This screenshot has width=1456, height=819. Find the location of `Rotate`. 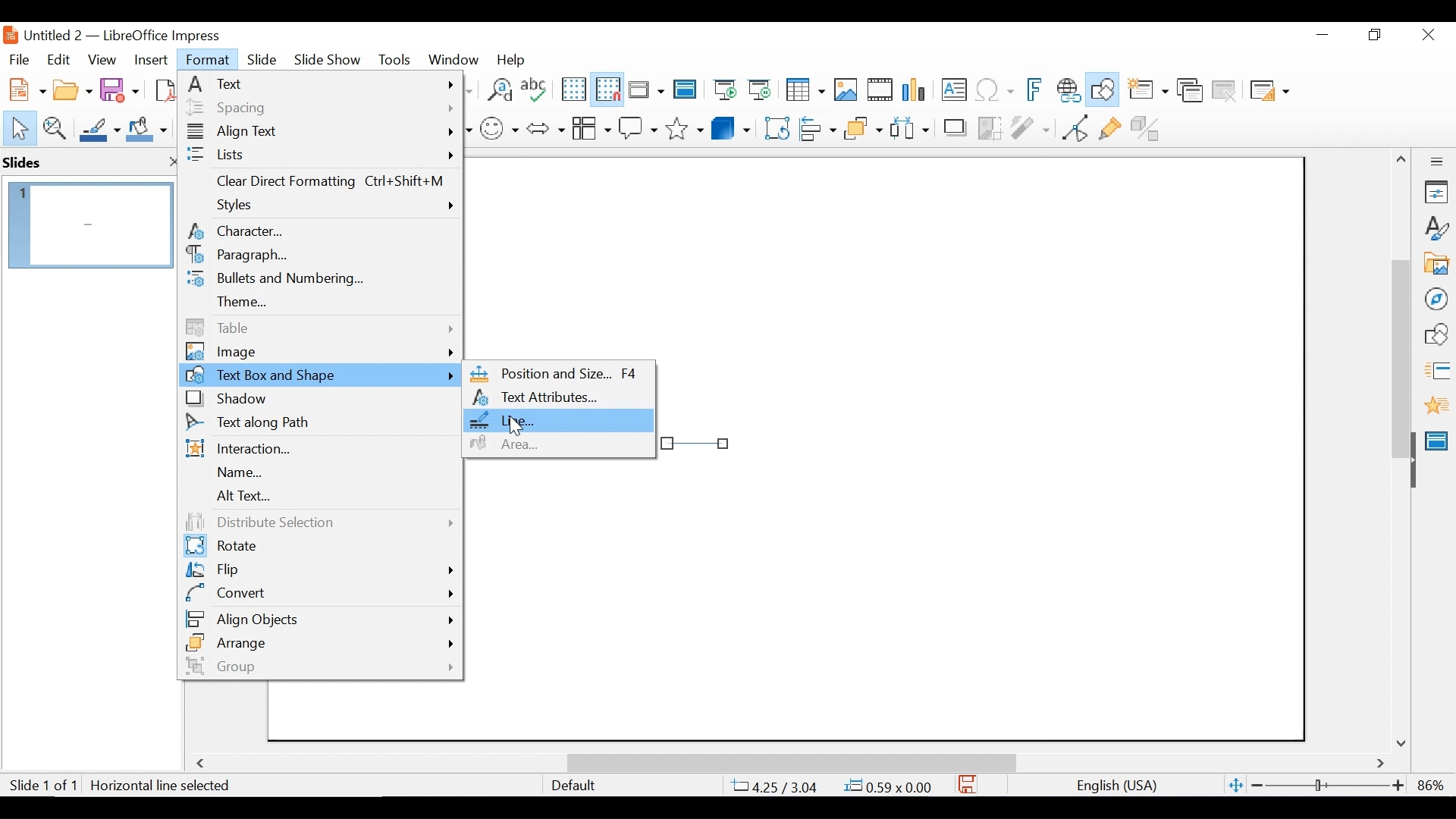

Rotate is located at coordinates (775, 127).